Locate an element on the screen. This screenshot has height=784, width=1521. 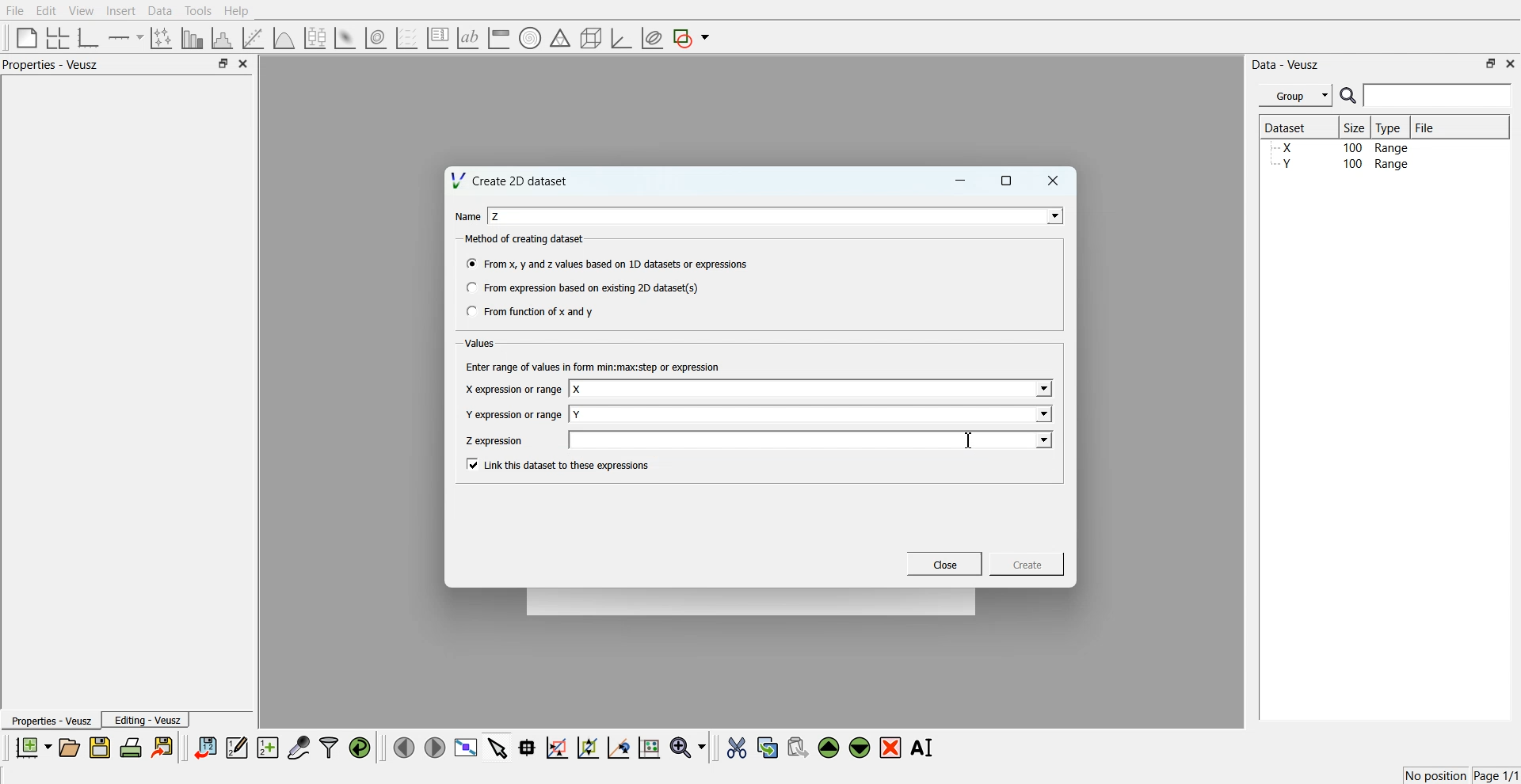
Move down the selected widget is located at coordinates (860, 748).